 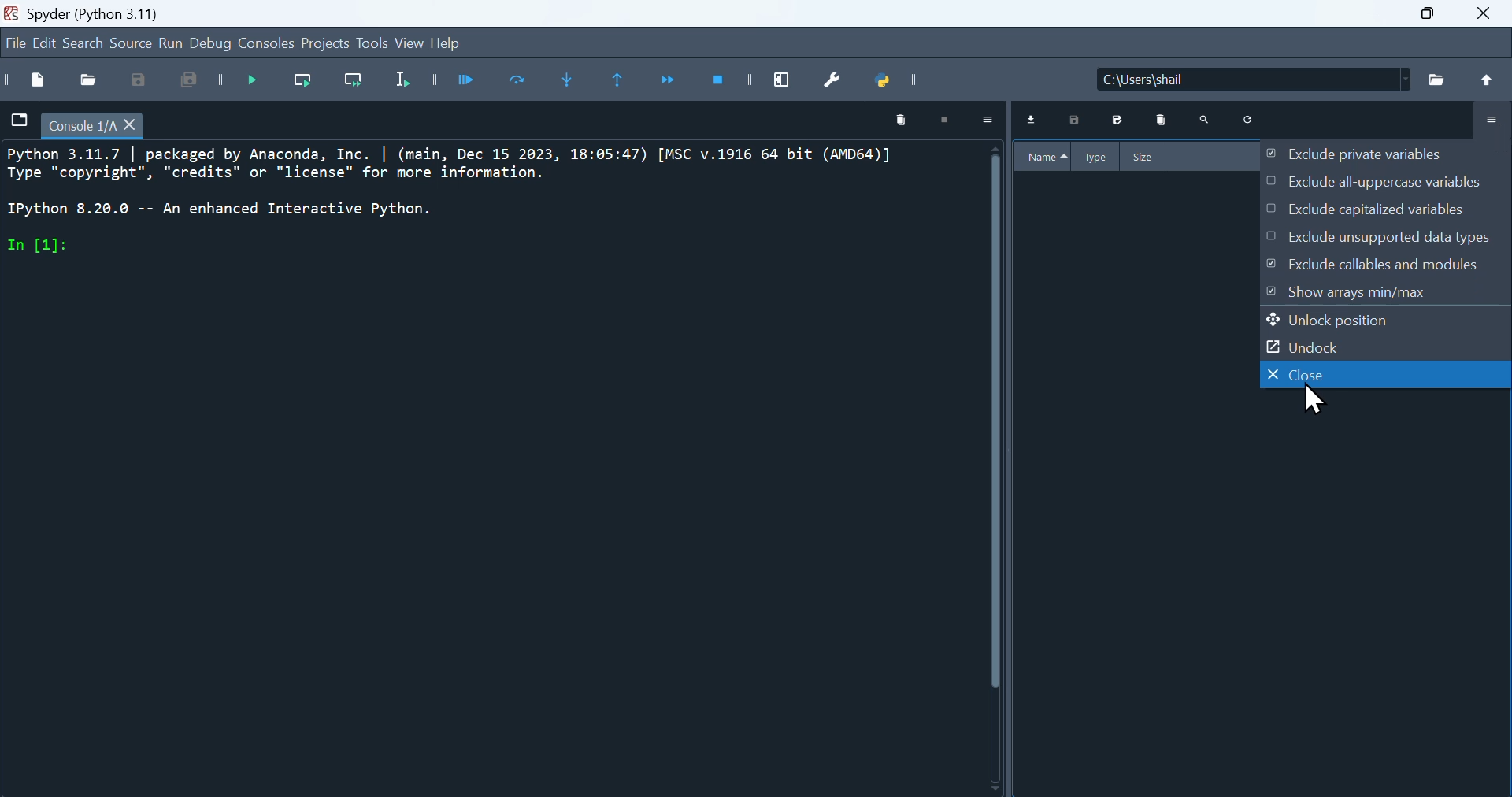 I want to click on Delete panel, so click(x=894, y=121).